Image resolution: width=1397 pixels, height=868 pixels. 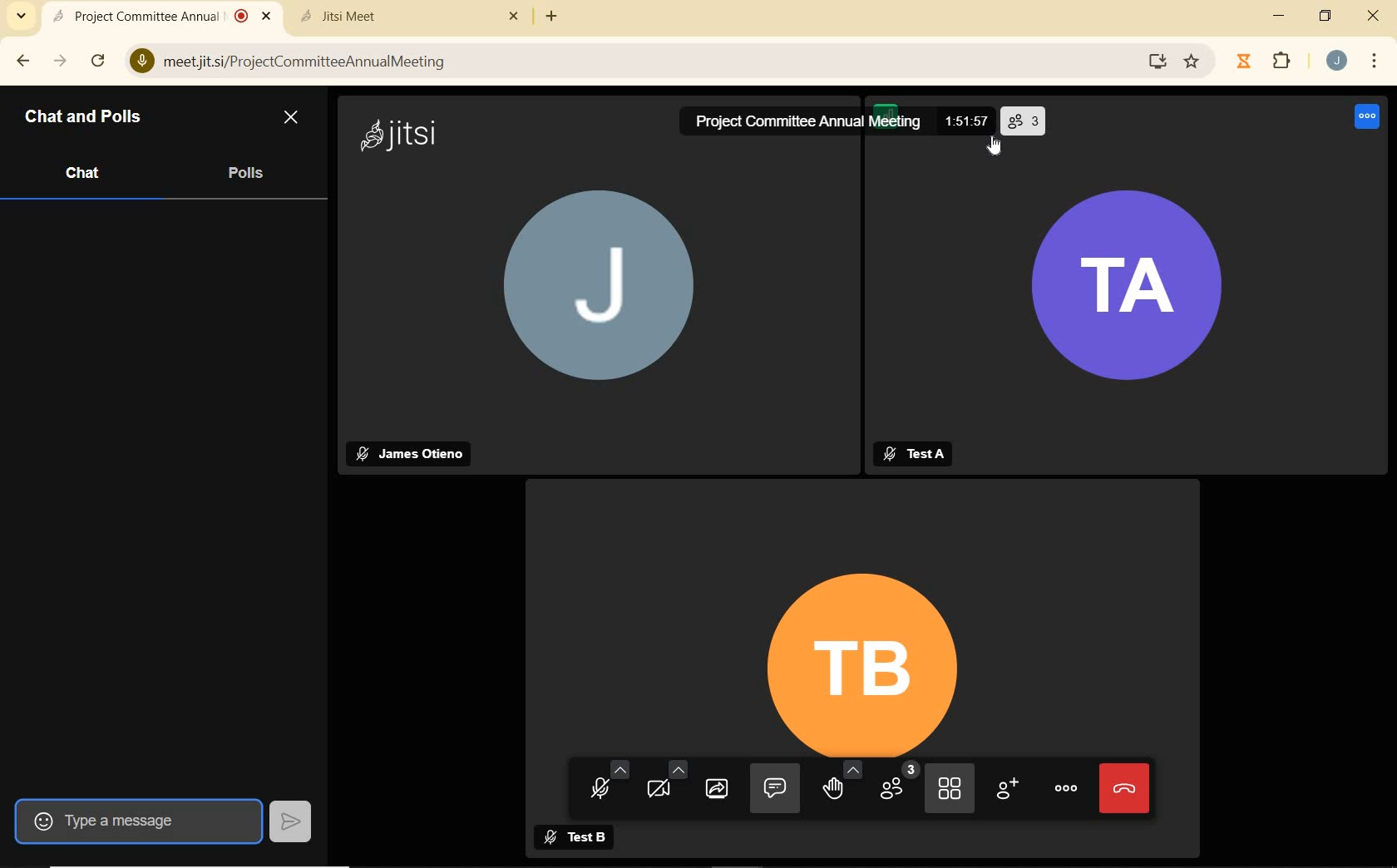 What do you see at coordinates (147, 17) in the screenshot?
I see `current open tab` at bounding box center [147, 17].